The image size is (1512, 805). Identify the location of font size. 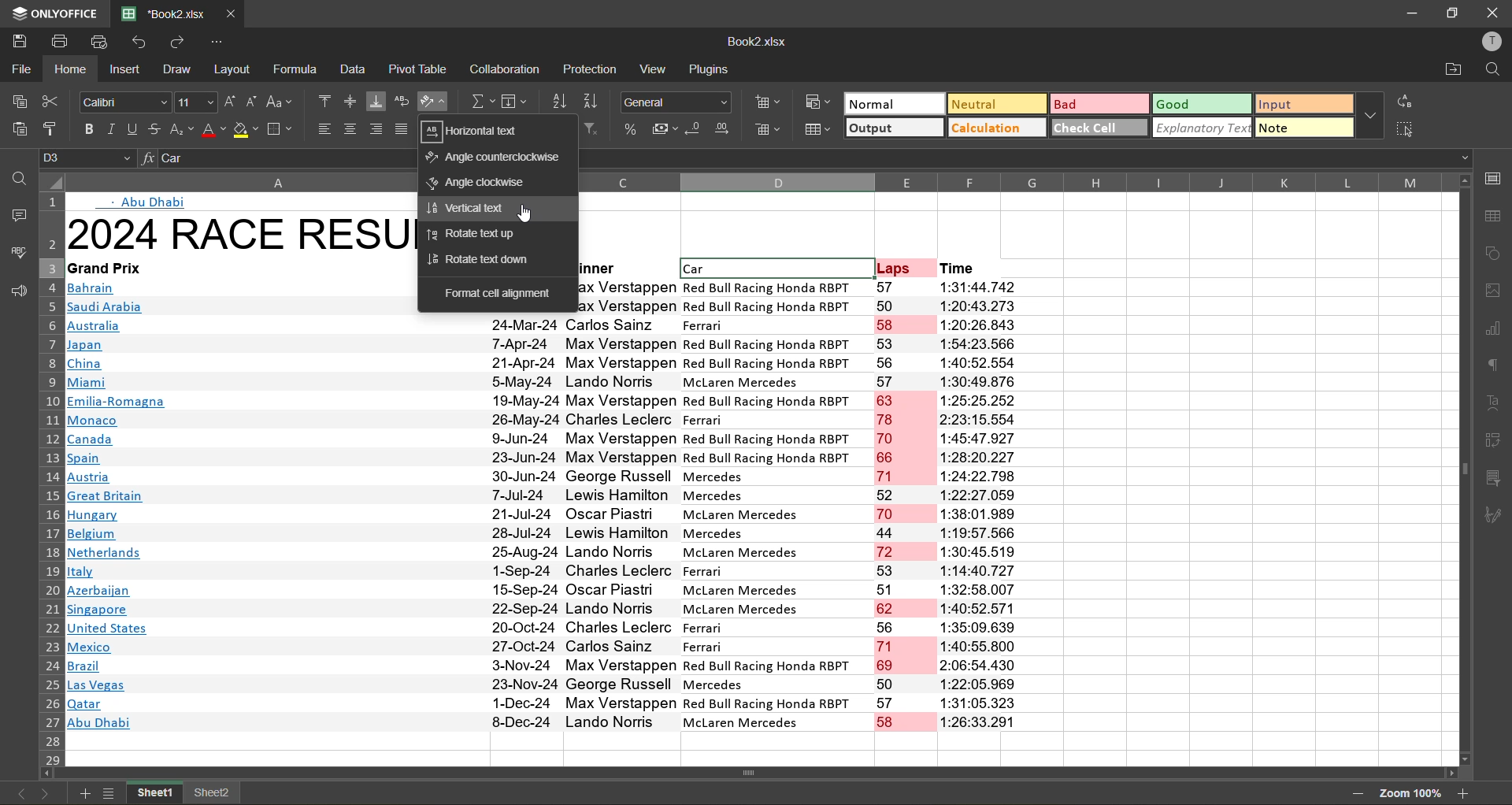
(198, 102).